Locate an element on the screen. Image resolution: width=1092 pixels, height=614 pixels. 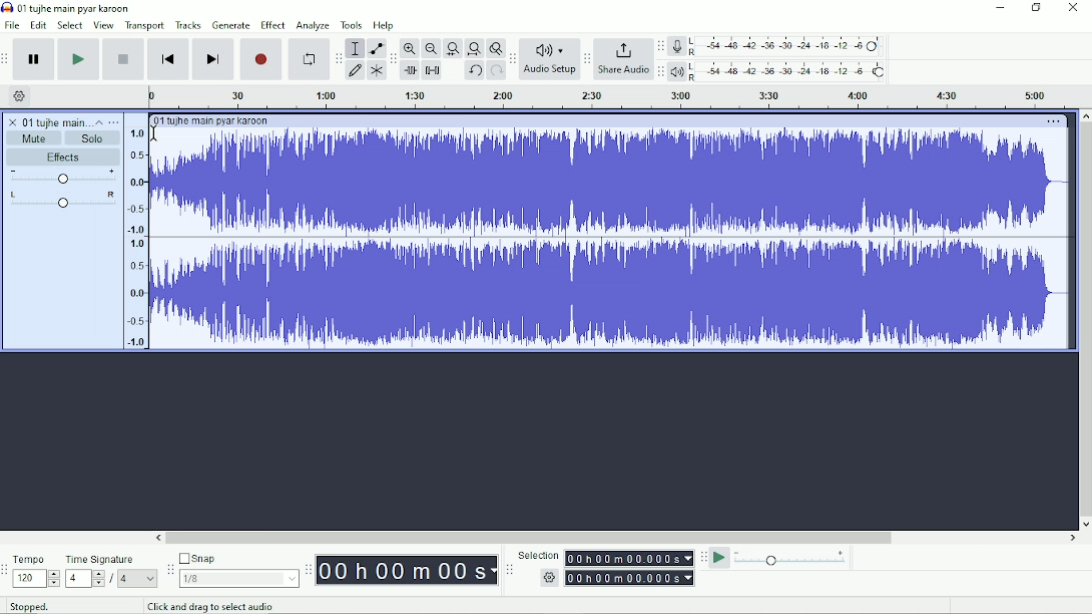
Audacity audio setup toolbar is located at coordinates (512, 59).